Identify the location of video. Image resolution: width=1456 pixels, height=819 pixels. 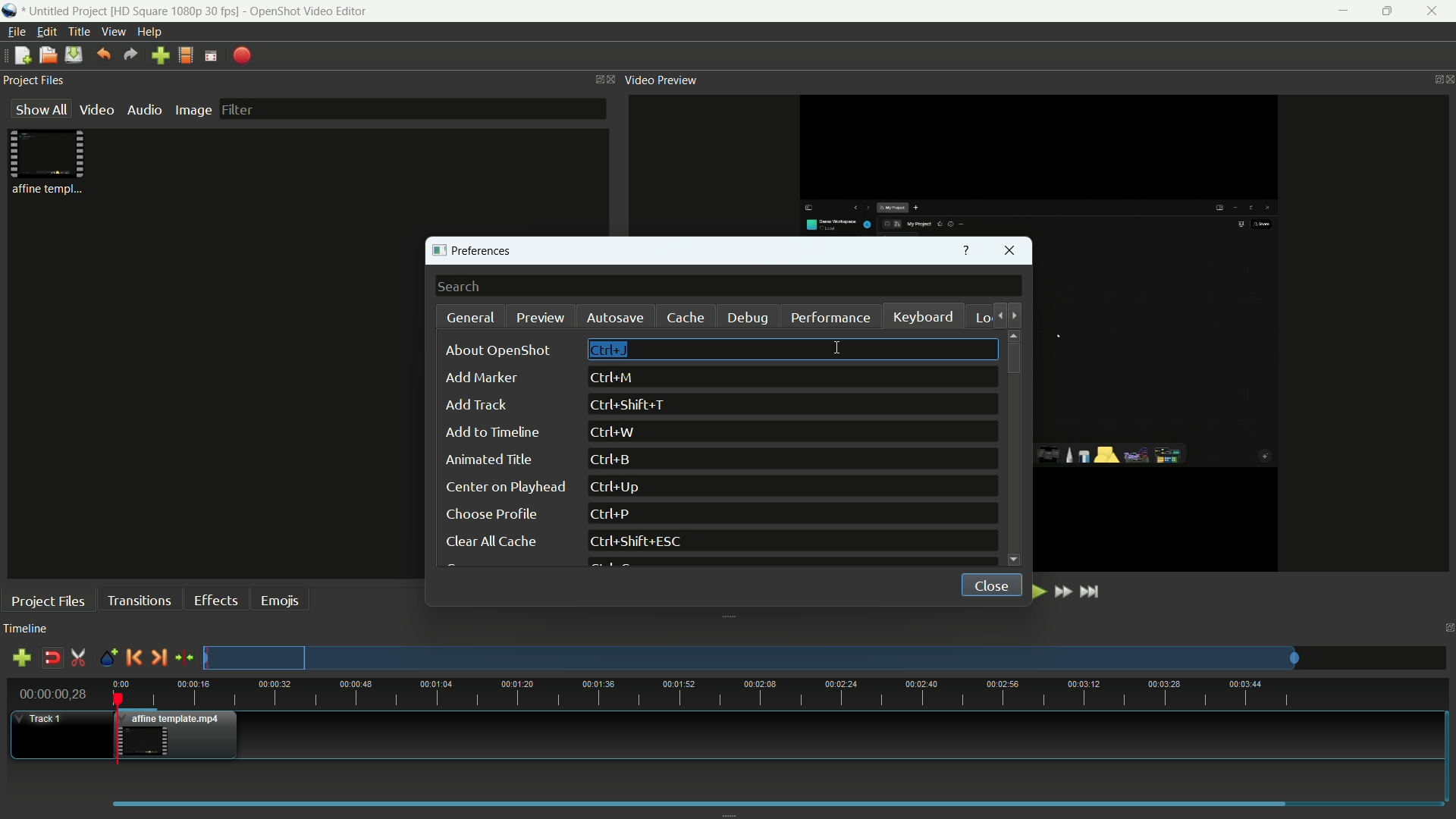
(96, 110).